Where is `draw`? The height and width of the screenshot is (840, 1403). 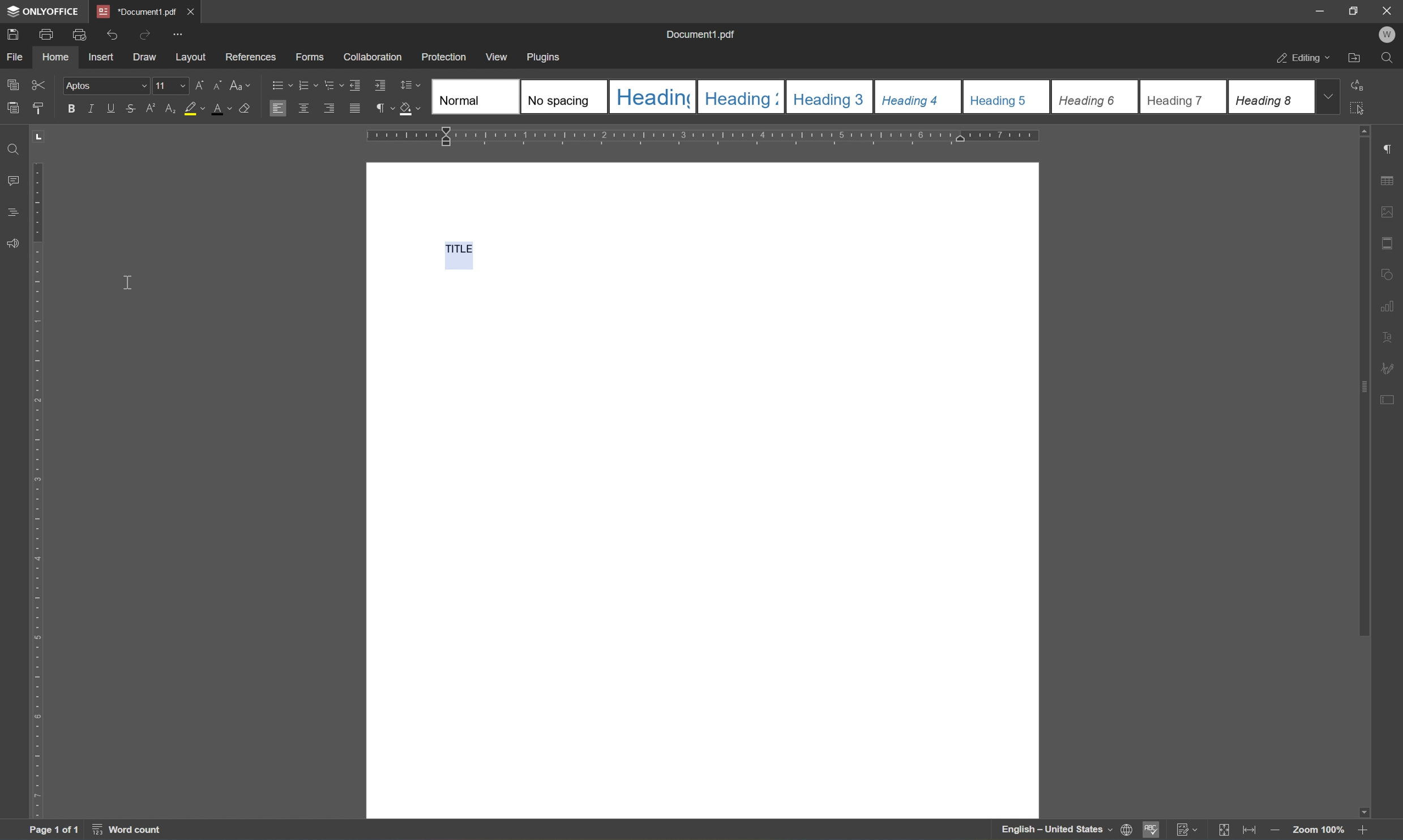 draw is located at coordinates (143, 56).